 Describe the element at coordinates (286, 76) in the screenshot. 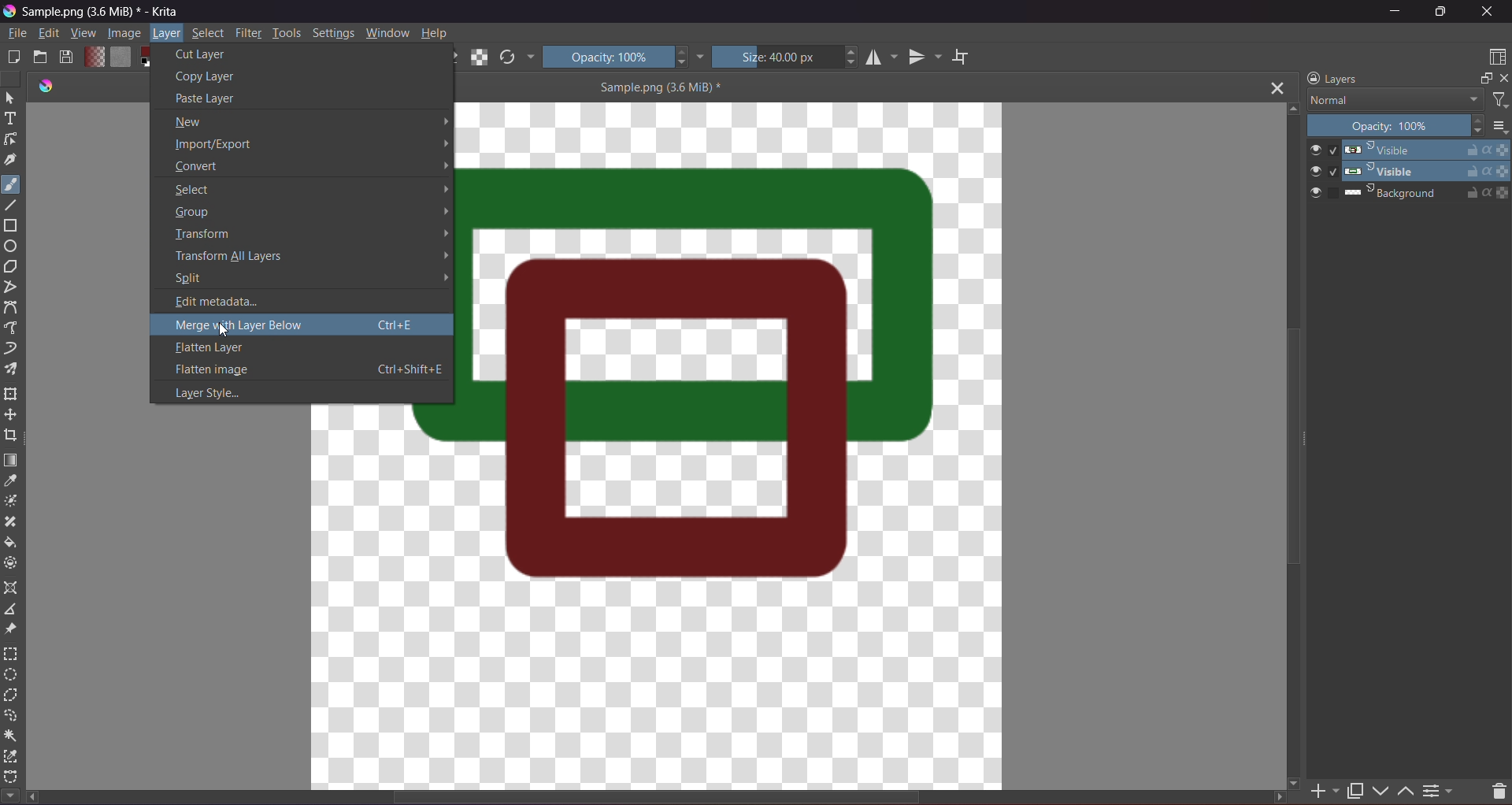

I see `Copy layer` at that location.